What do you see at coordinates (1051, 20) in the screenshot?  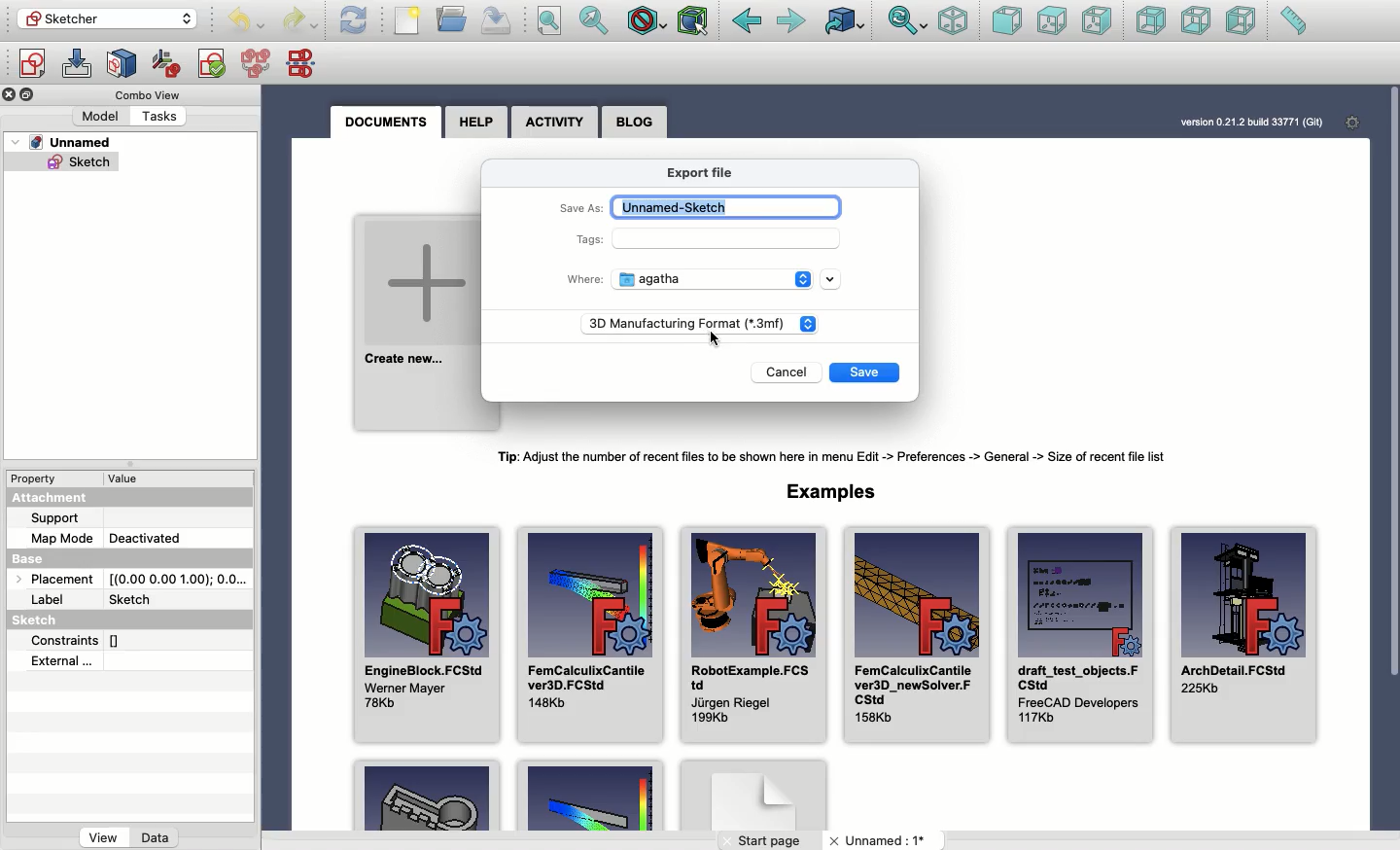 I see `Top` at bounding box center [1051, 20].